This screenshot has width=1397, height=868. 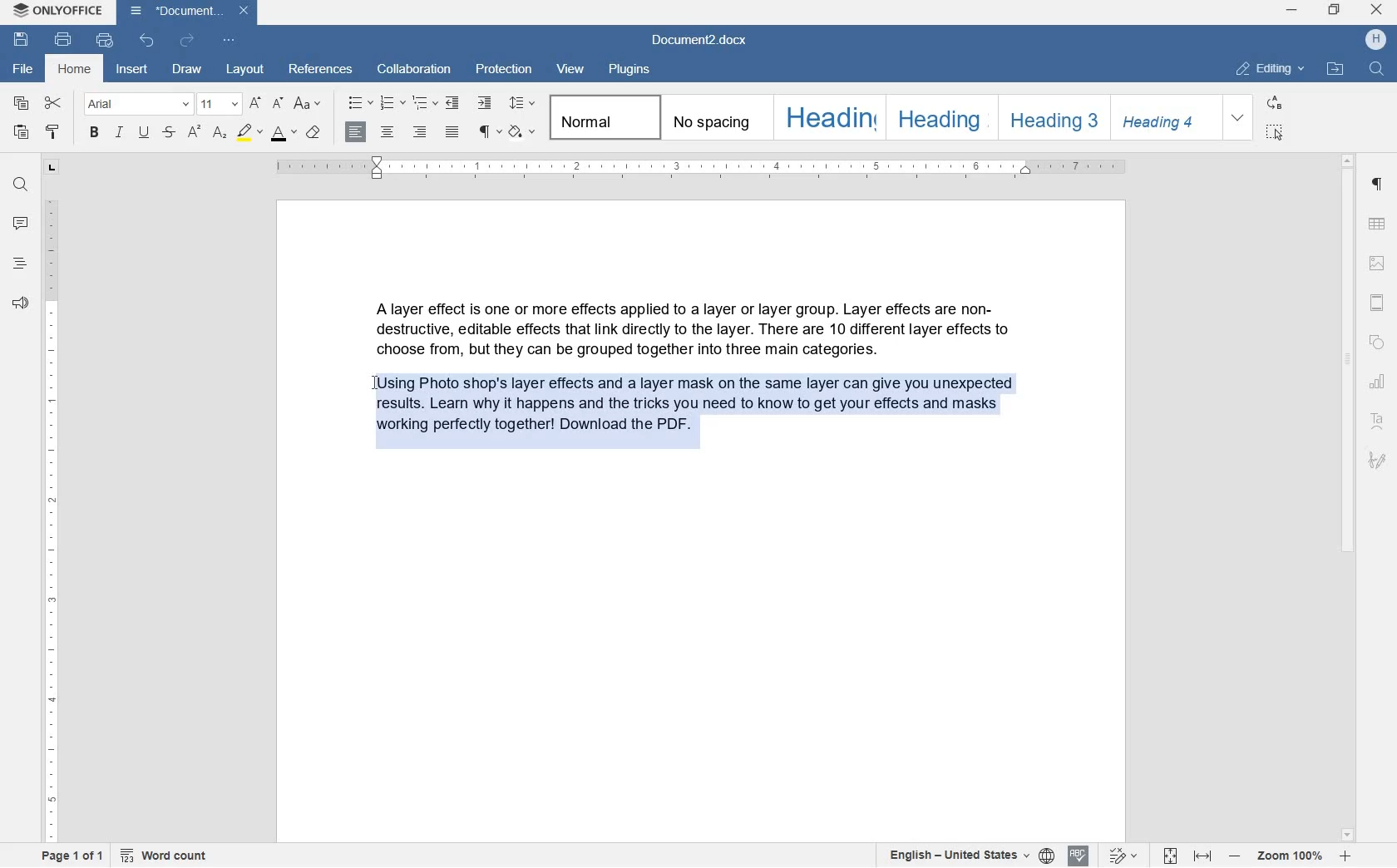 I want to click on RULER, so click(x=49, y=520).